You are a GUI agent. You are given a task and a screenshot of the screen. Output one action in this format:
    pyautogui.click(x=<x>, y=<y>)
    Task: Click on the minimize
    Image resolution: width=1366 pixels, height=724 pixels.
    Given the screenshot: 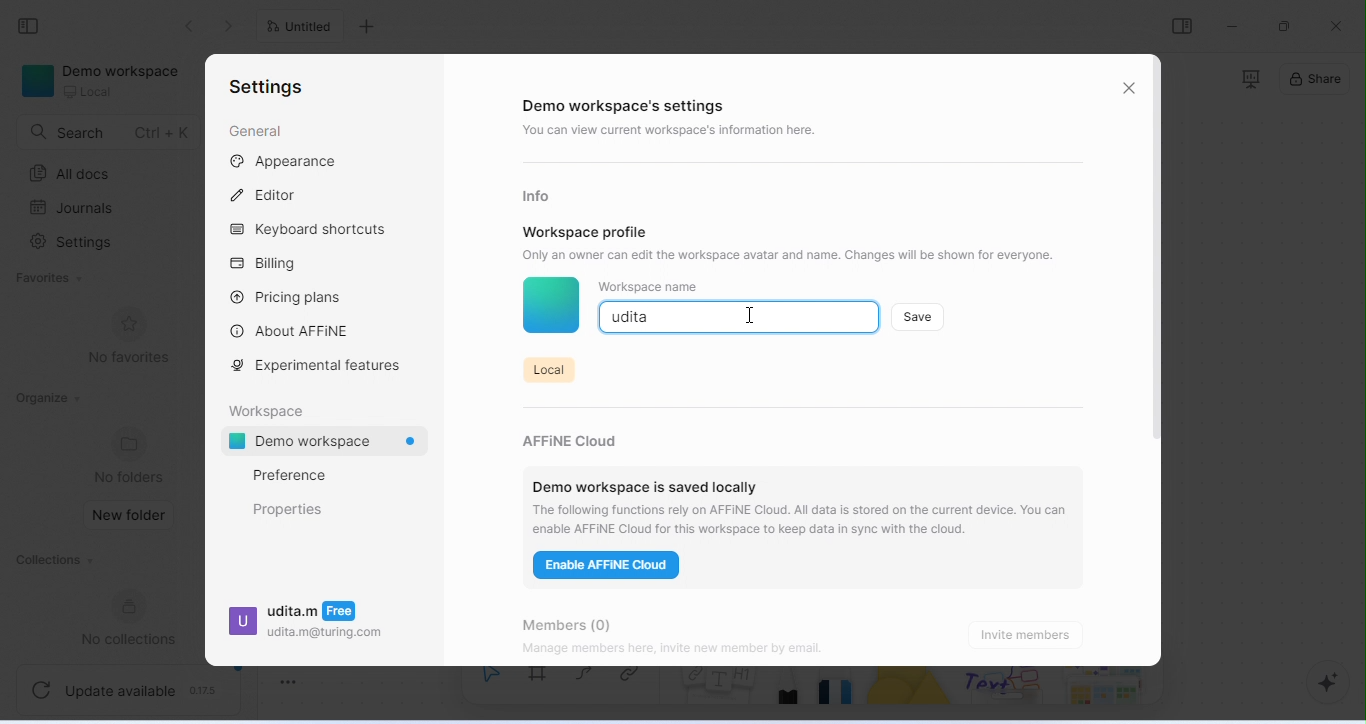 What is the action you would take?
    pyautogui.click(x=1233, y=25)
    